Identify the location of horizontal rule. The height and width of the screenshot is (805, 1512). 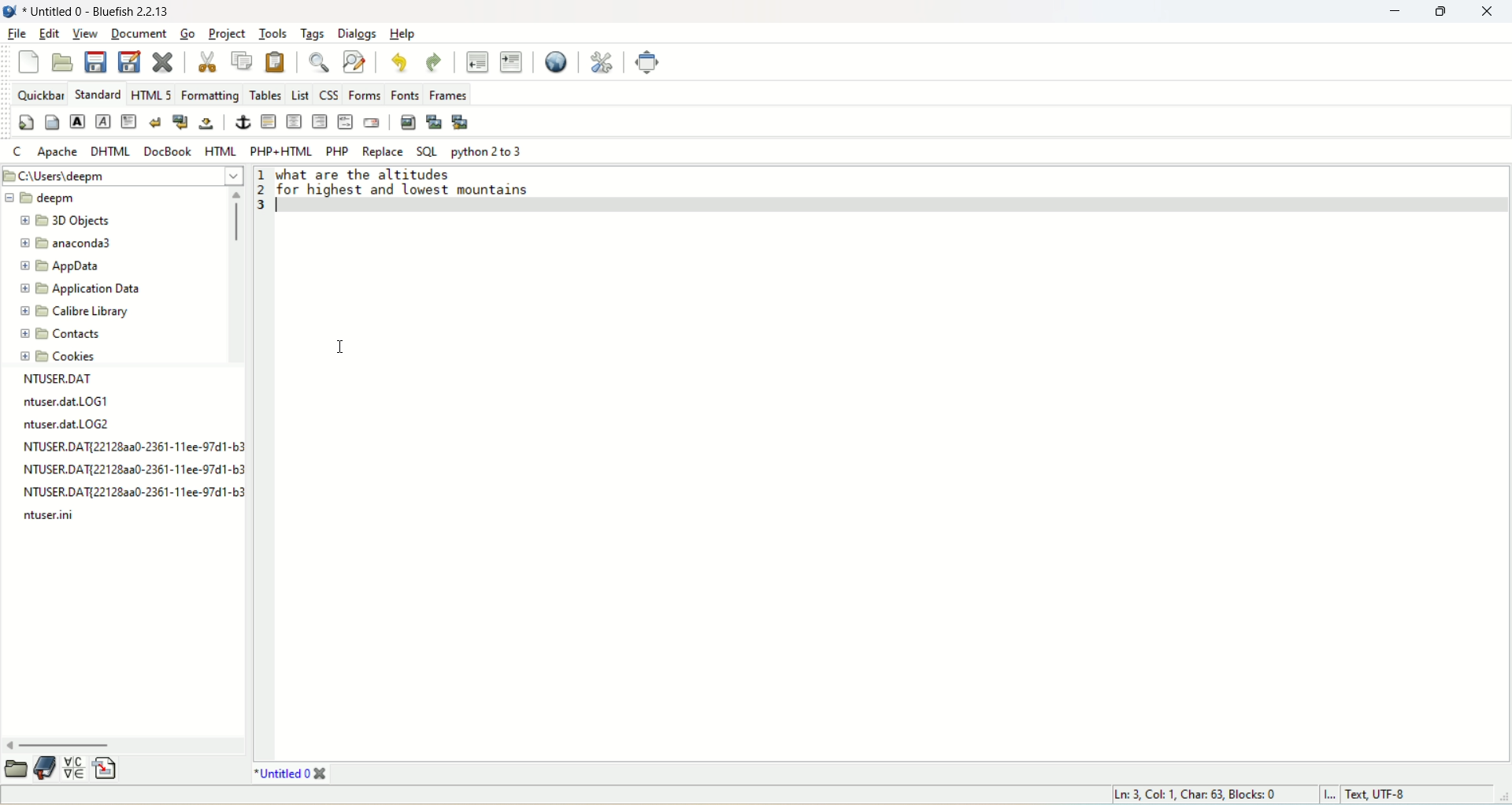
(269, 122).